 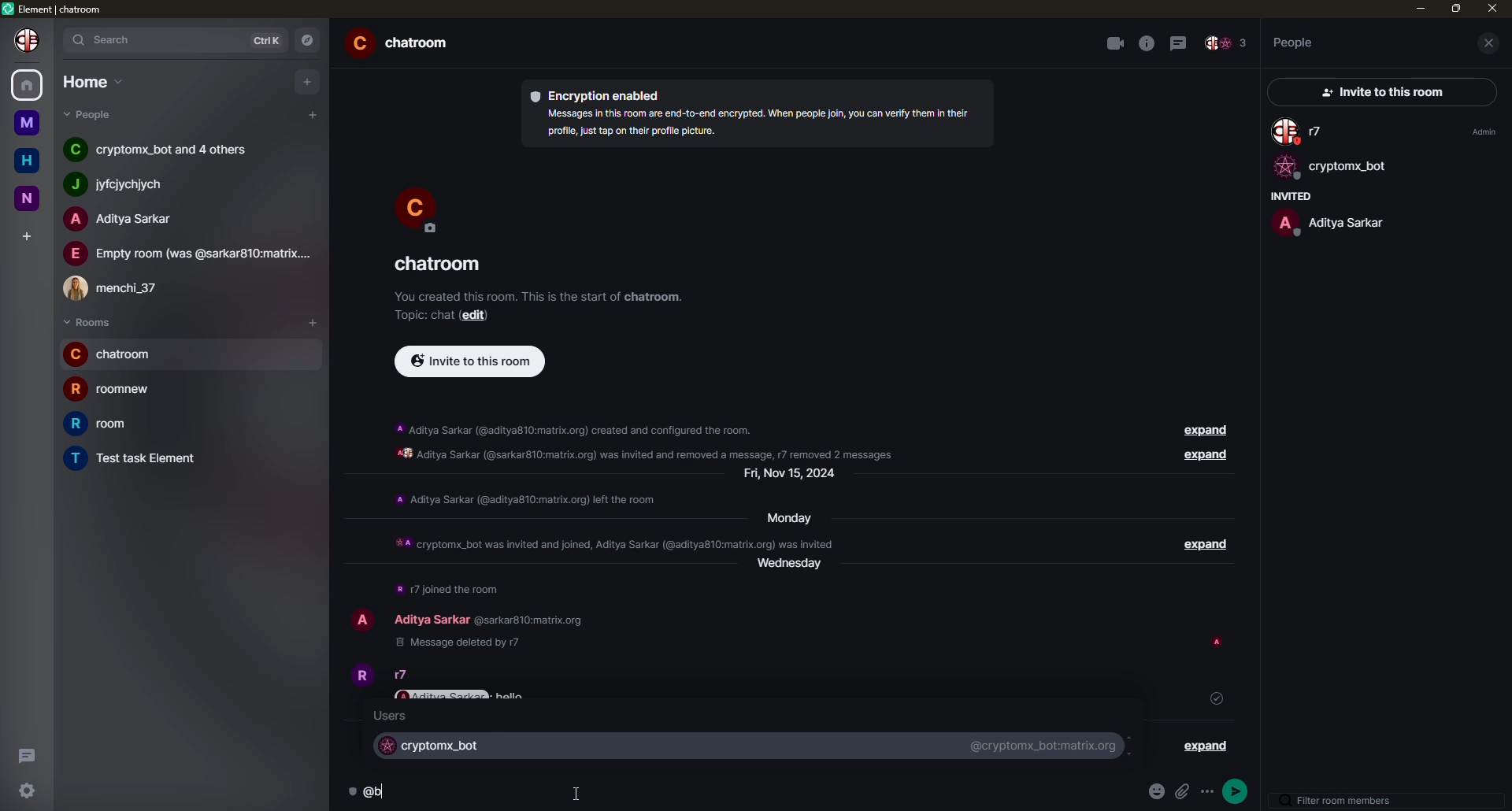 I want to click on send, so click(x=1238, y=792).